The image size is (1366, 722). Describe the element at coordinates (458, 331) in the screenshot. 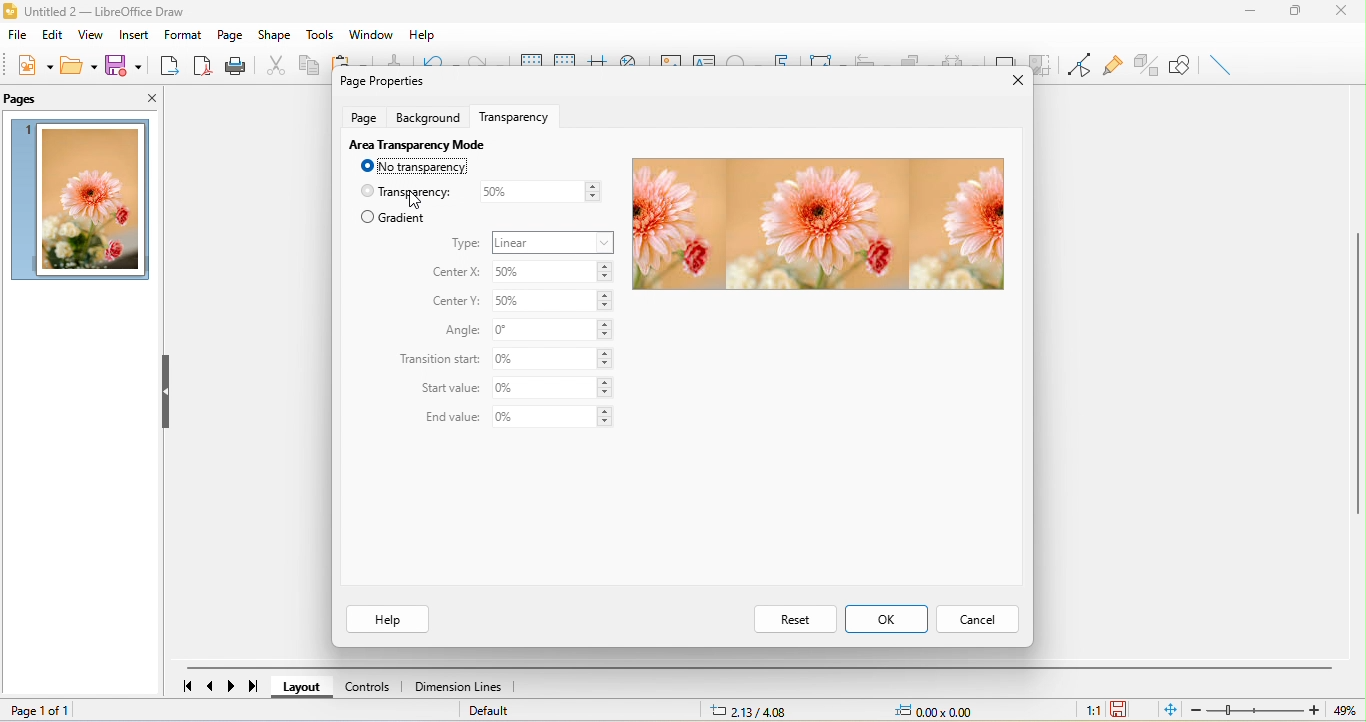

I see `angle` at that location.